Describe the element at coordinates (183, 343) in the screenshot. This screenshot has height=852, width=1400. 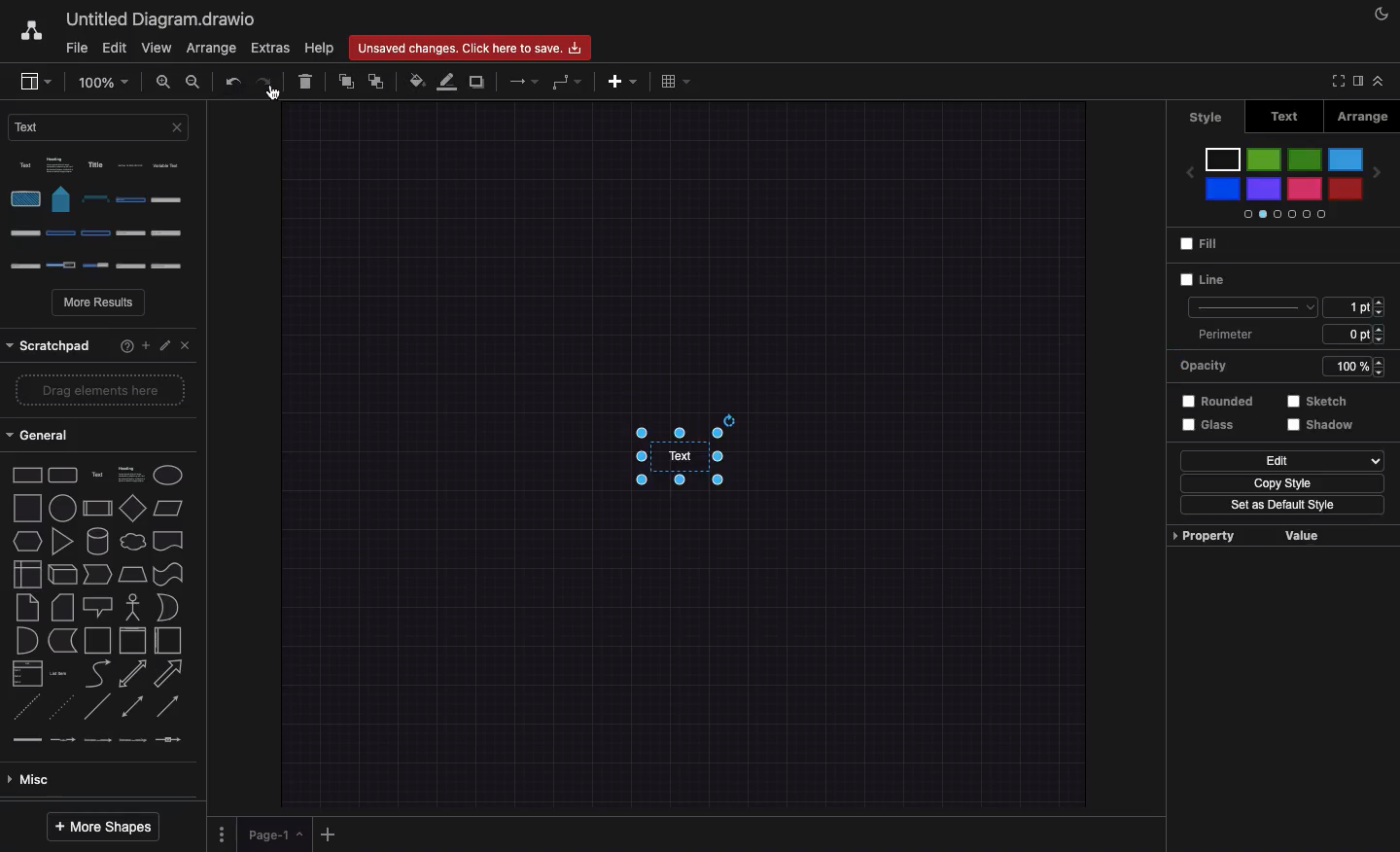
I see `Close` at that location.